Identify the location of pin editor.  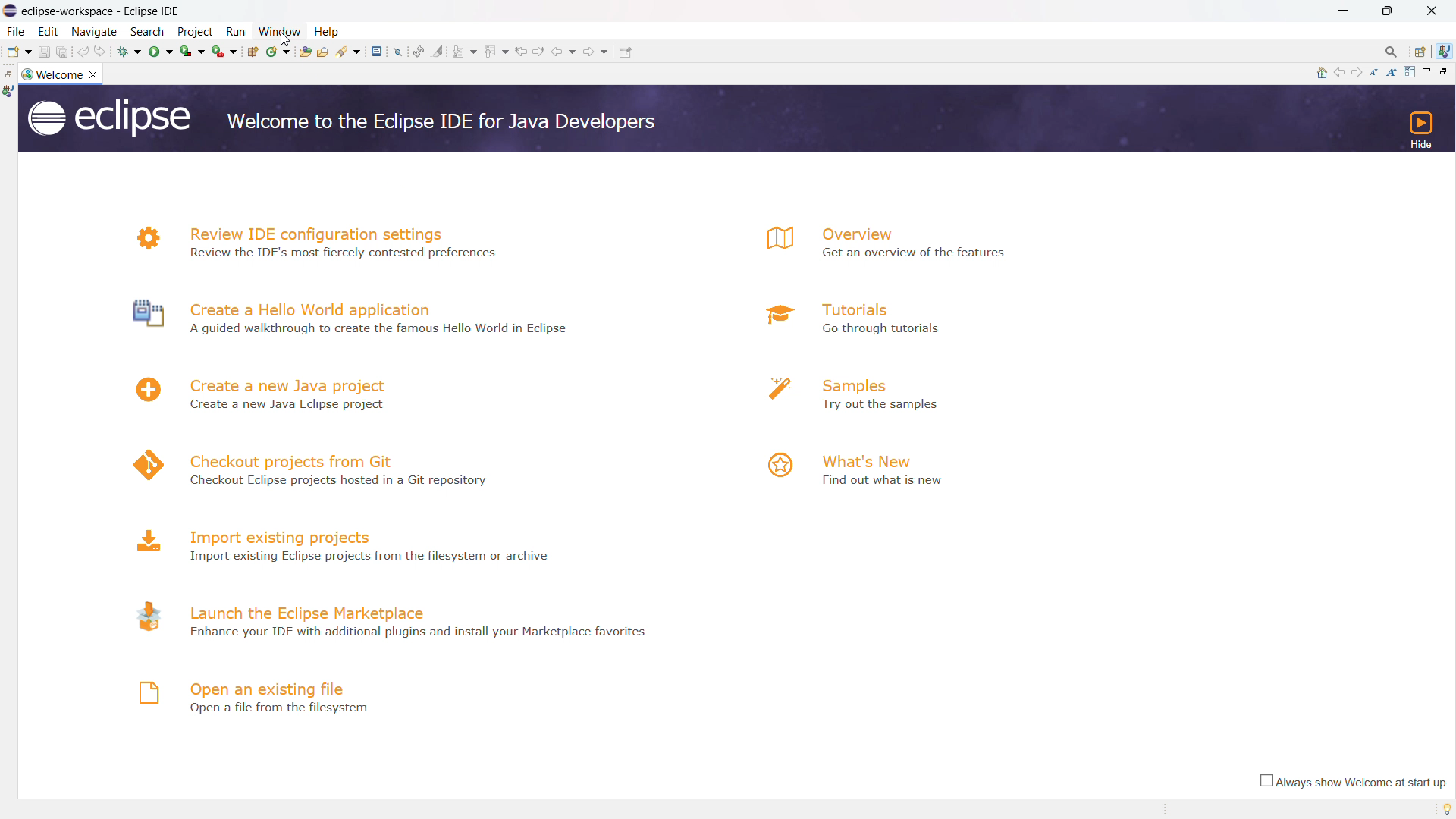
(626, 52).